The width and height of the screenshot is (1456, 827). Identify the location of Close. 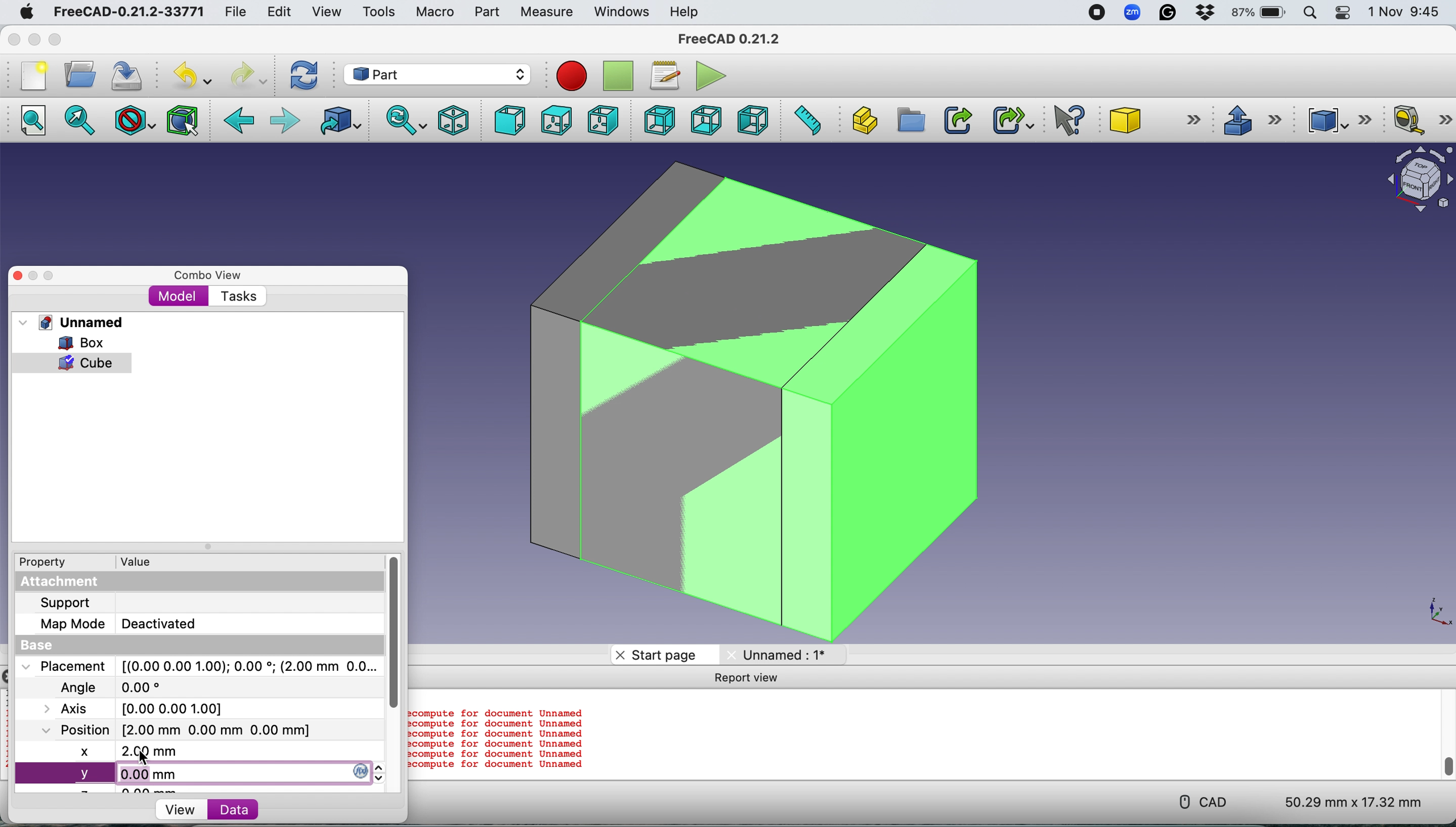
(18, 276).